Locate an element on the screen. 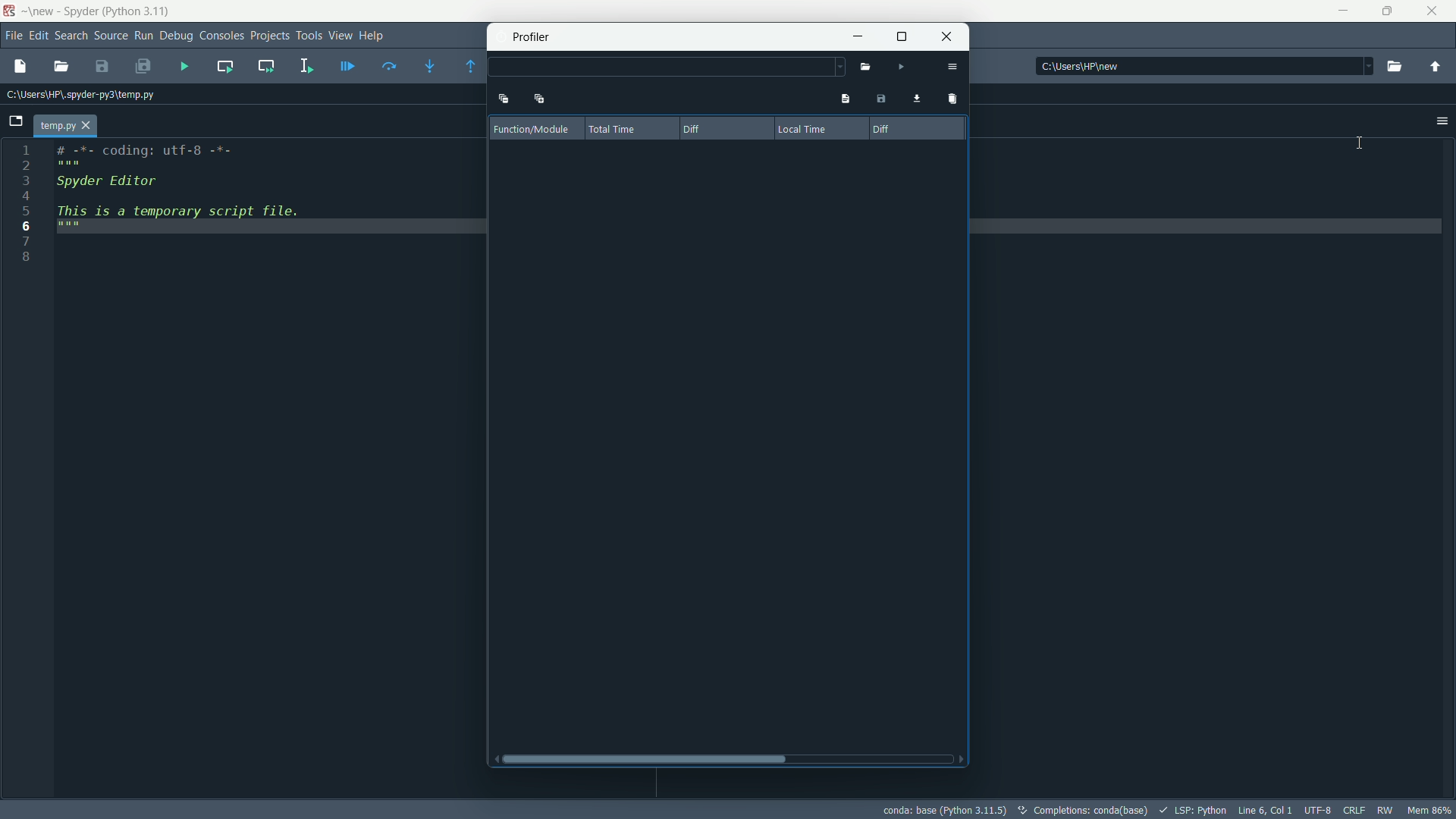 The width and height of the screenshot is (1456, 819). save file is located at coordinates (103, 67).